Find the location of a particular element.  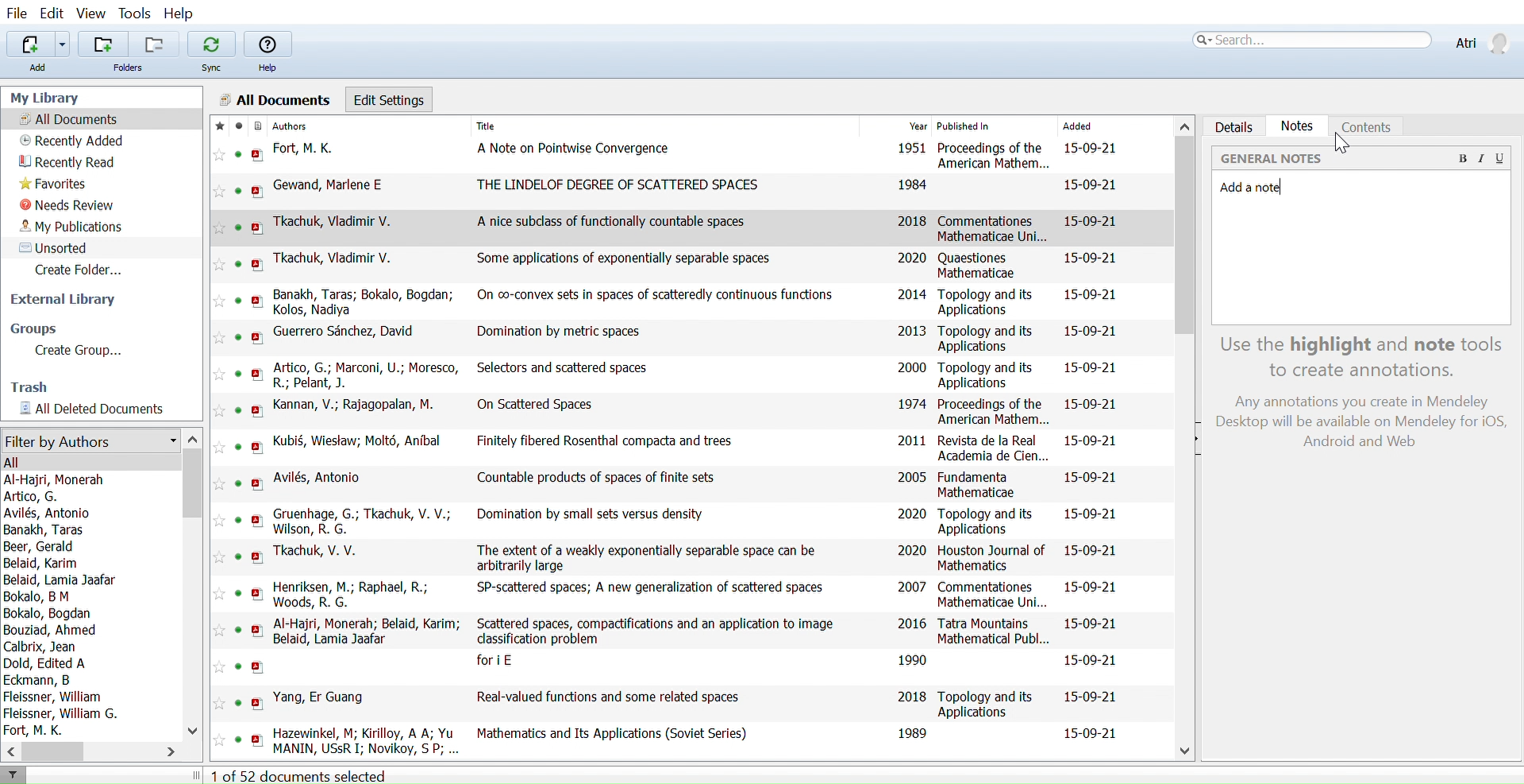

Banakh, Taras; Bokalo, Bogdan; Kolos, Nadiya is located at coordinates (364, 302).